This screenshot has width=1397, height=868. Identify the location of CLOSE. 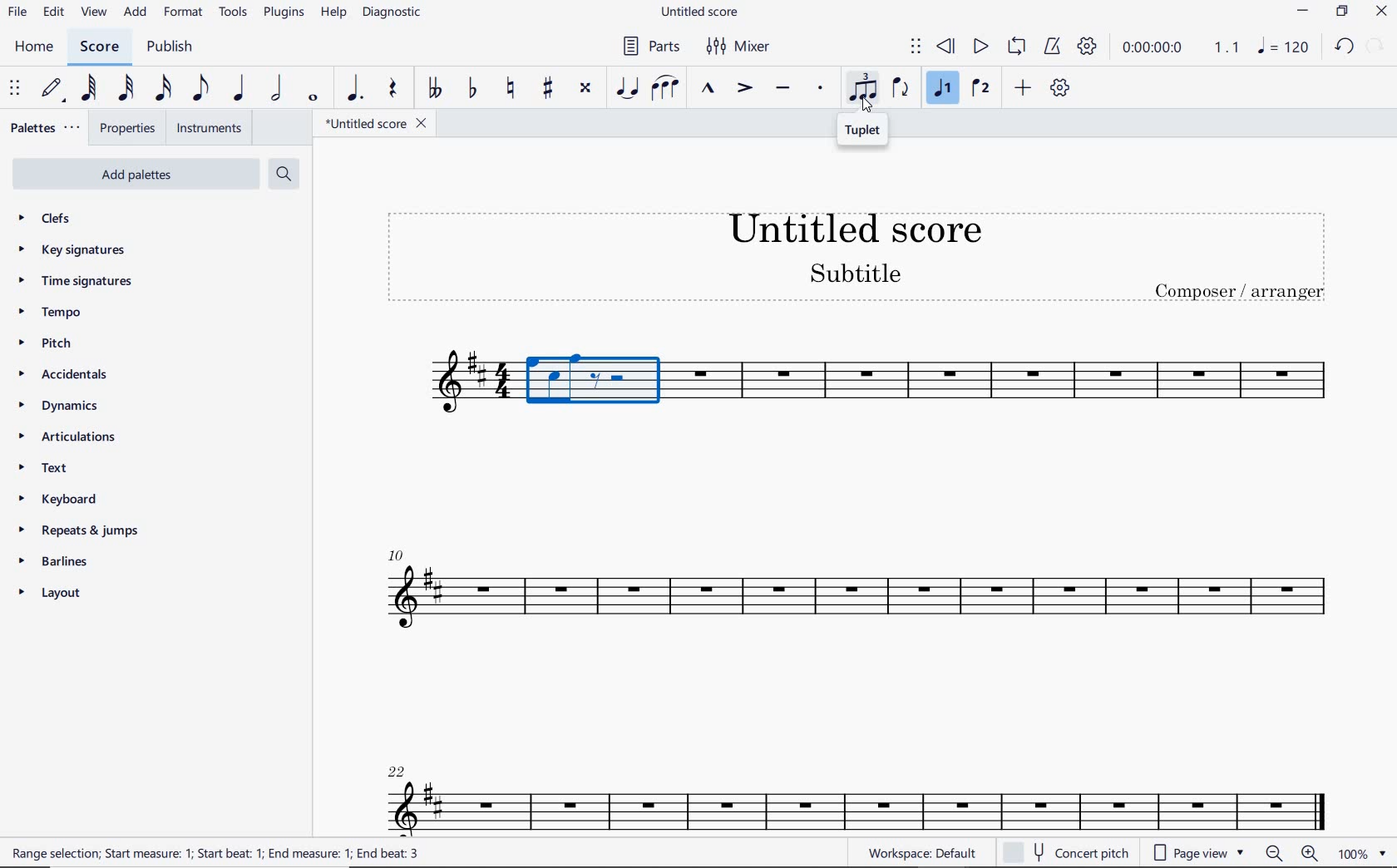
(1380, 13).